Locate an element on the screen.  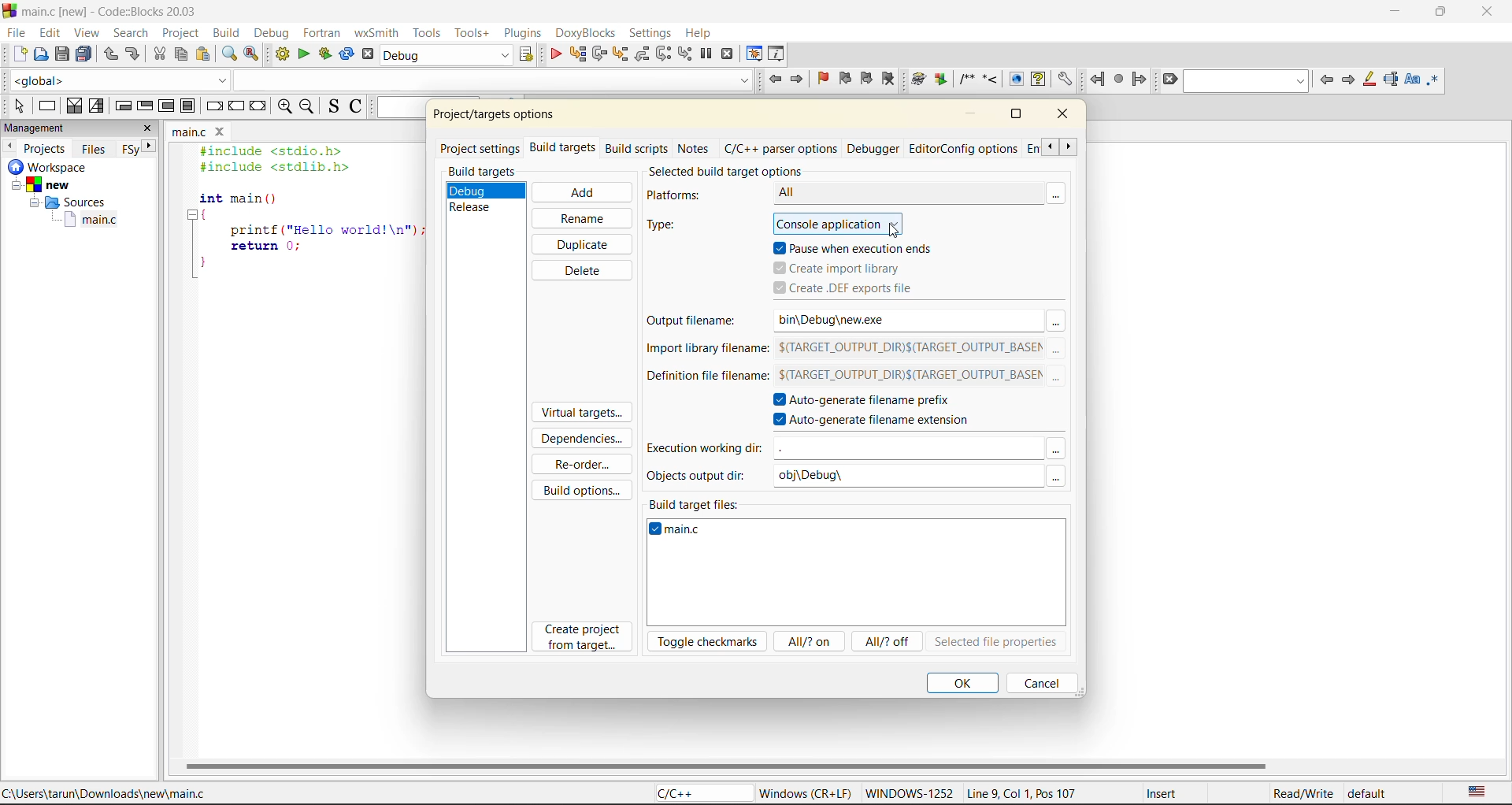
create project from target is located at coordinates (587, 637).